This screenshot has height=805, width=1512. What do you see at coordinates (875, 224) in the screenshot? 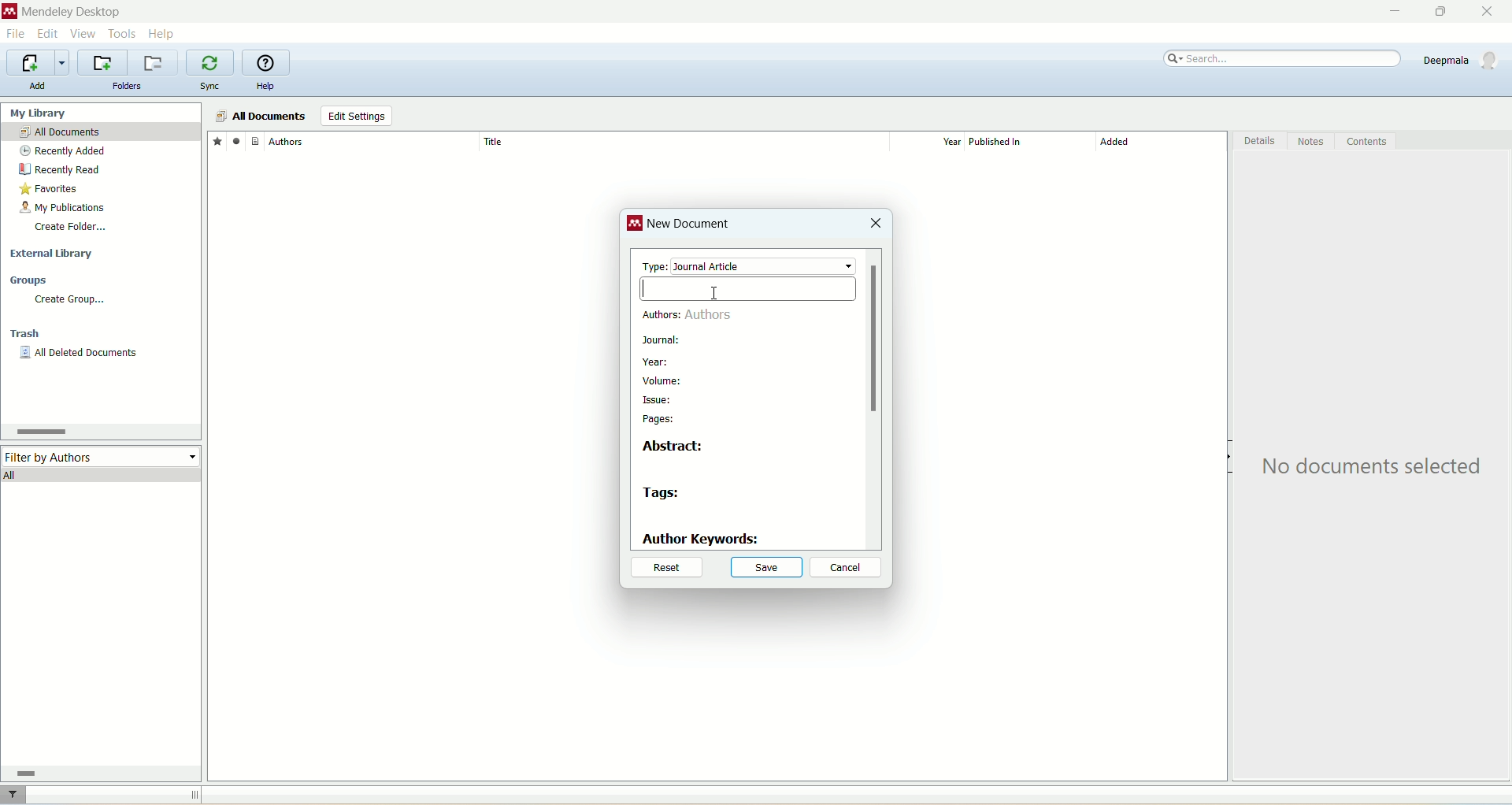
I see `close` at bounding box center [875, 224].